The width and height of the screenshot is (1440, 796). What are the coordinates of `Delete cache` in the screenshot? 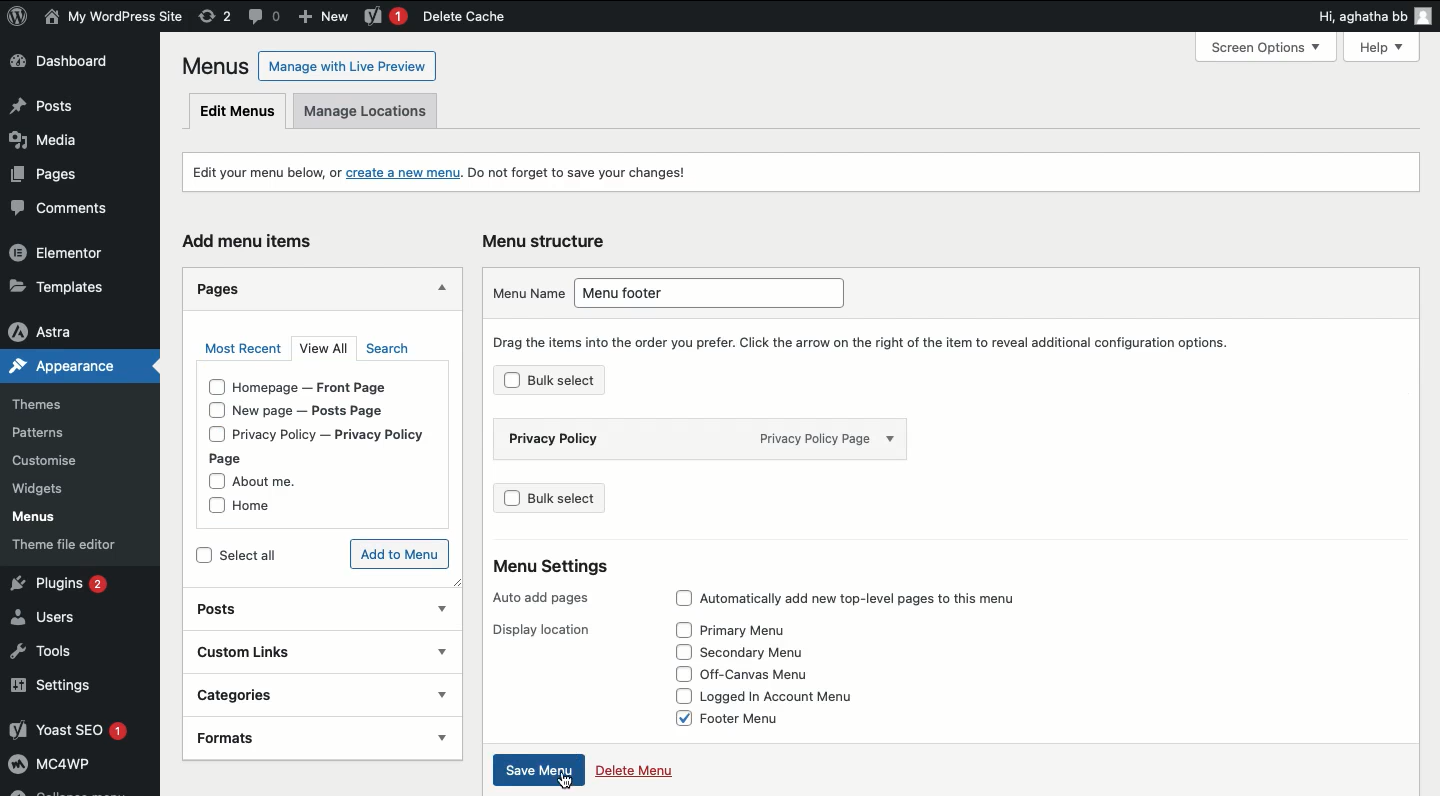 It's located at (463, 17).